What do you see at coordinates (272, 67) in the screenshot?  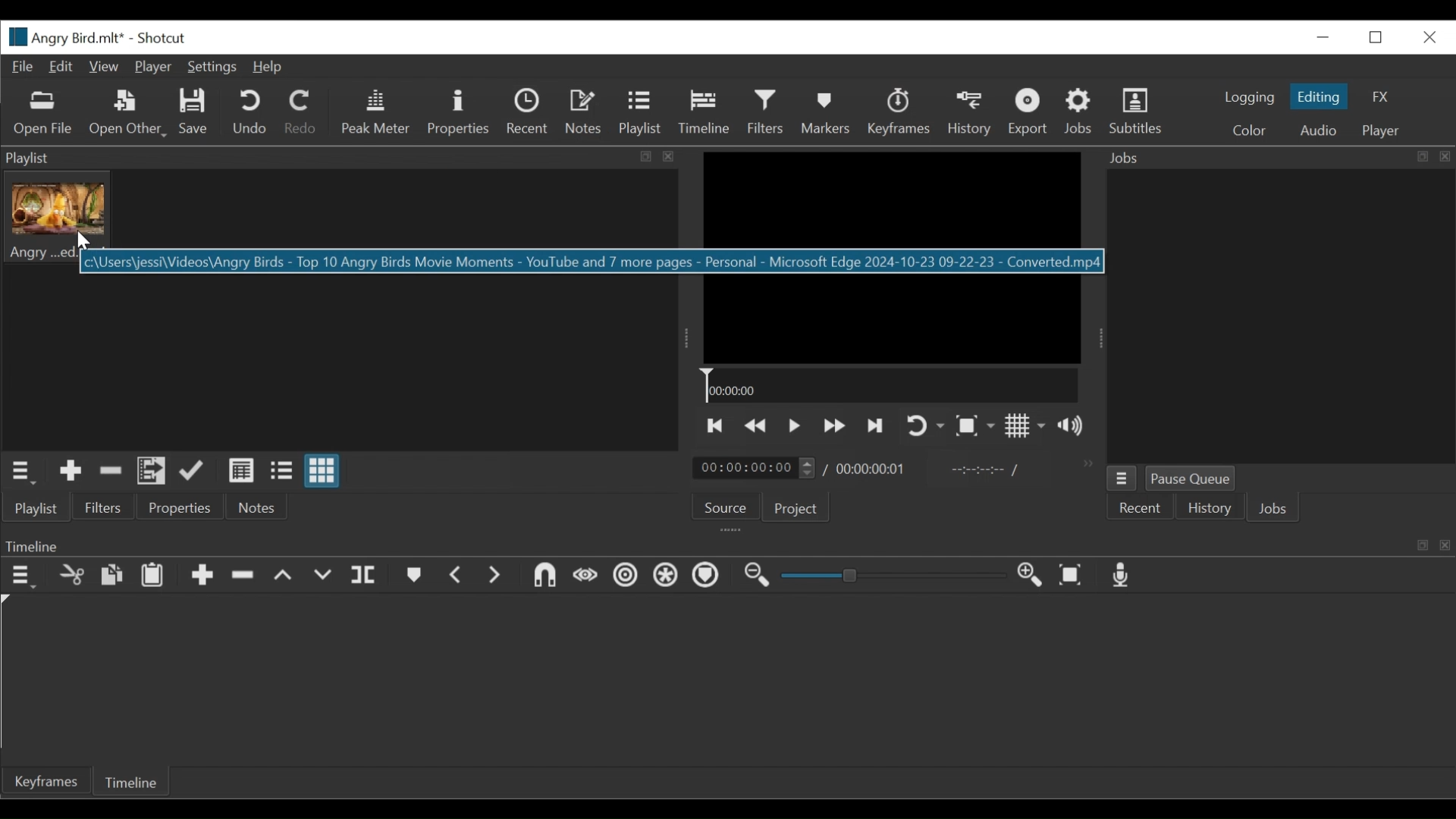 I see `Help` at bounding box center [272, 67].